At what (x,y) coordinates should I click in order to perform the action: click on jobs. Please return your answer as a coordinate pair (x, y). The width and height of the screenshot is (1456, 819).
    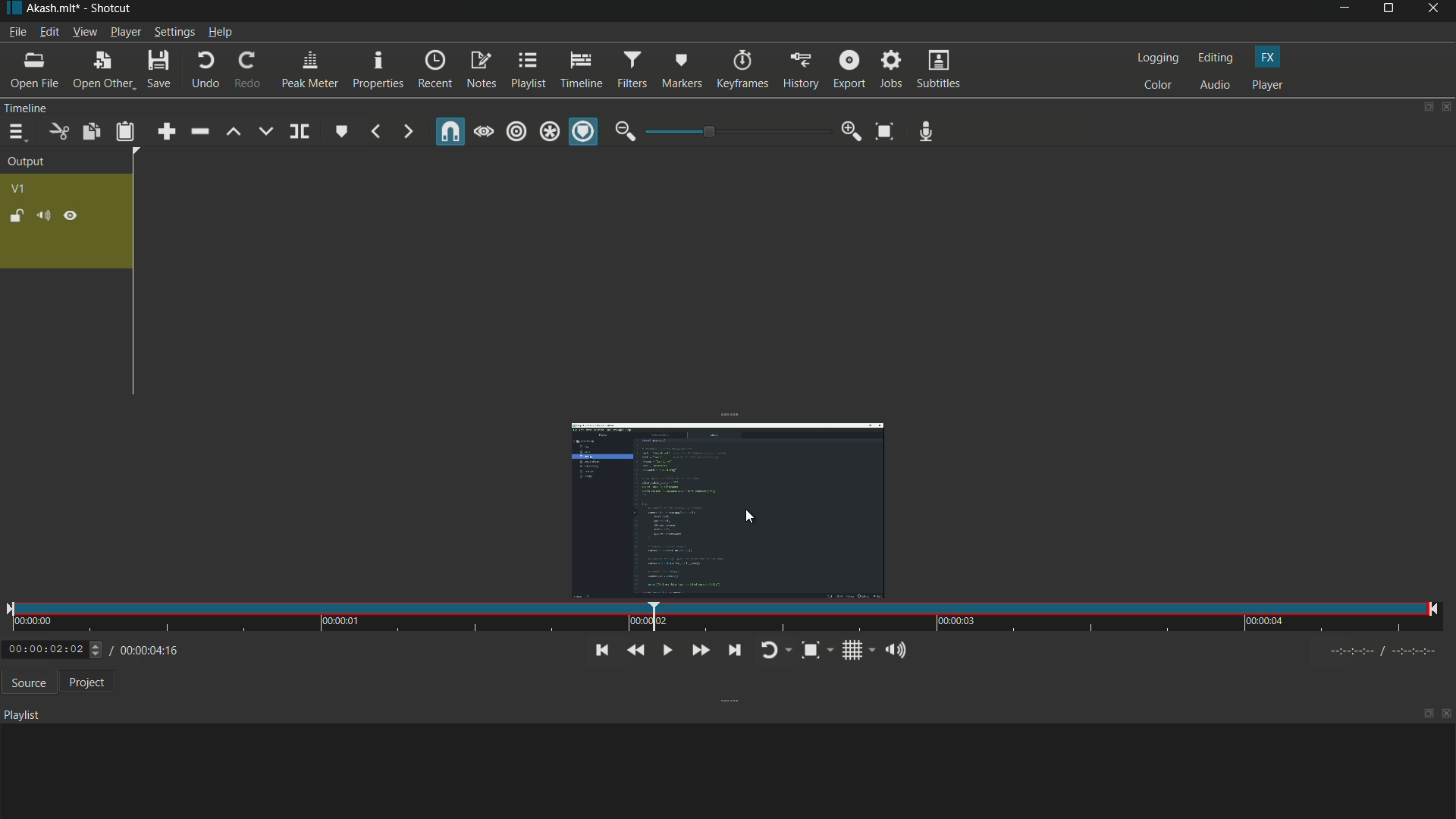
    Looking at the image, I should click on (891, 71).